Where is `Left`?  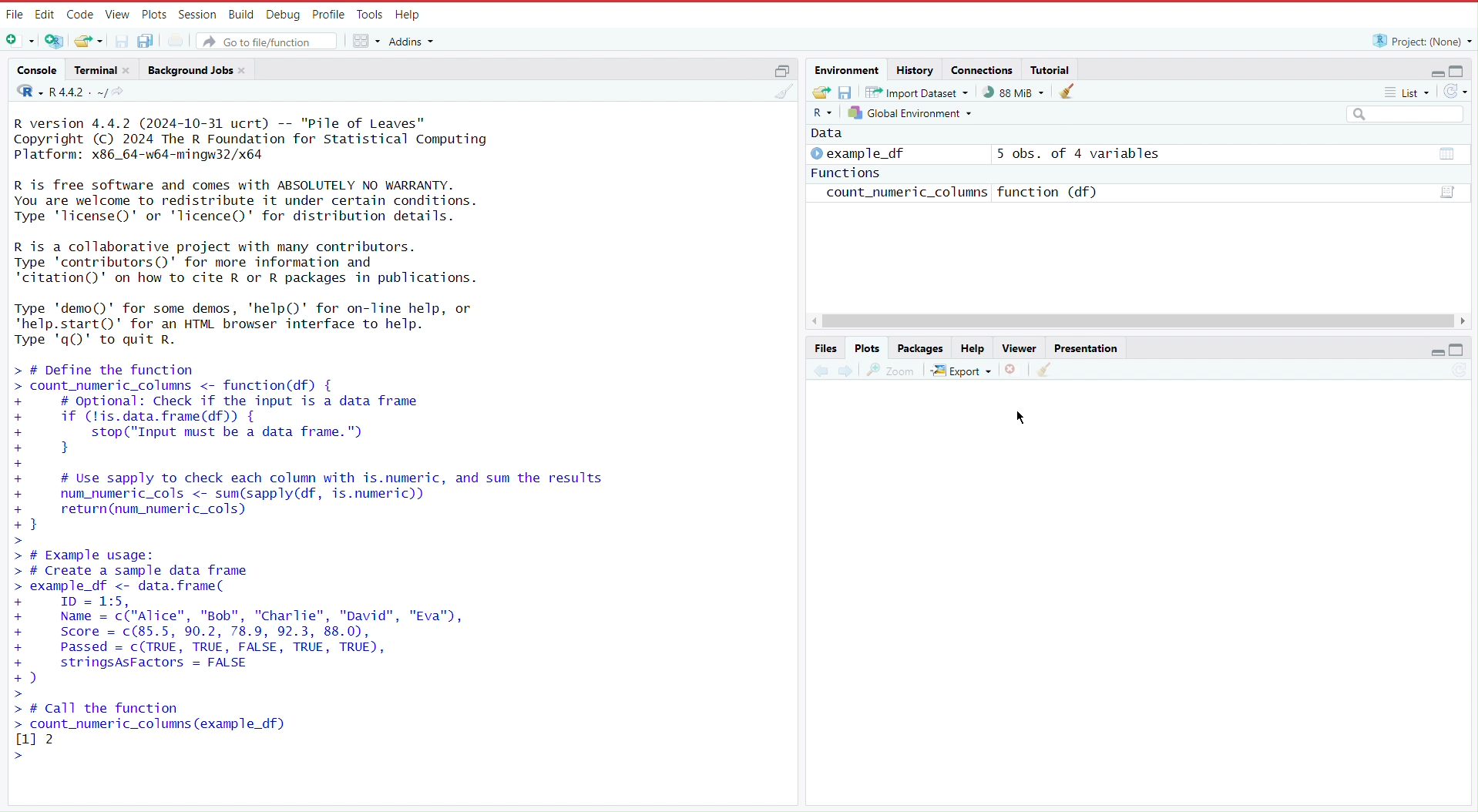
Left is located at coordinates (817, 320).